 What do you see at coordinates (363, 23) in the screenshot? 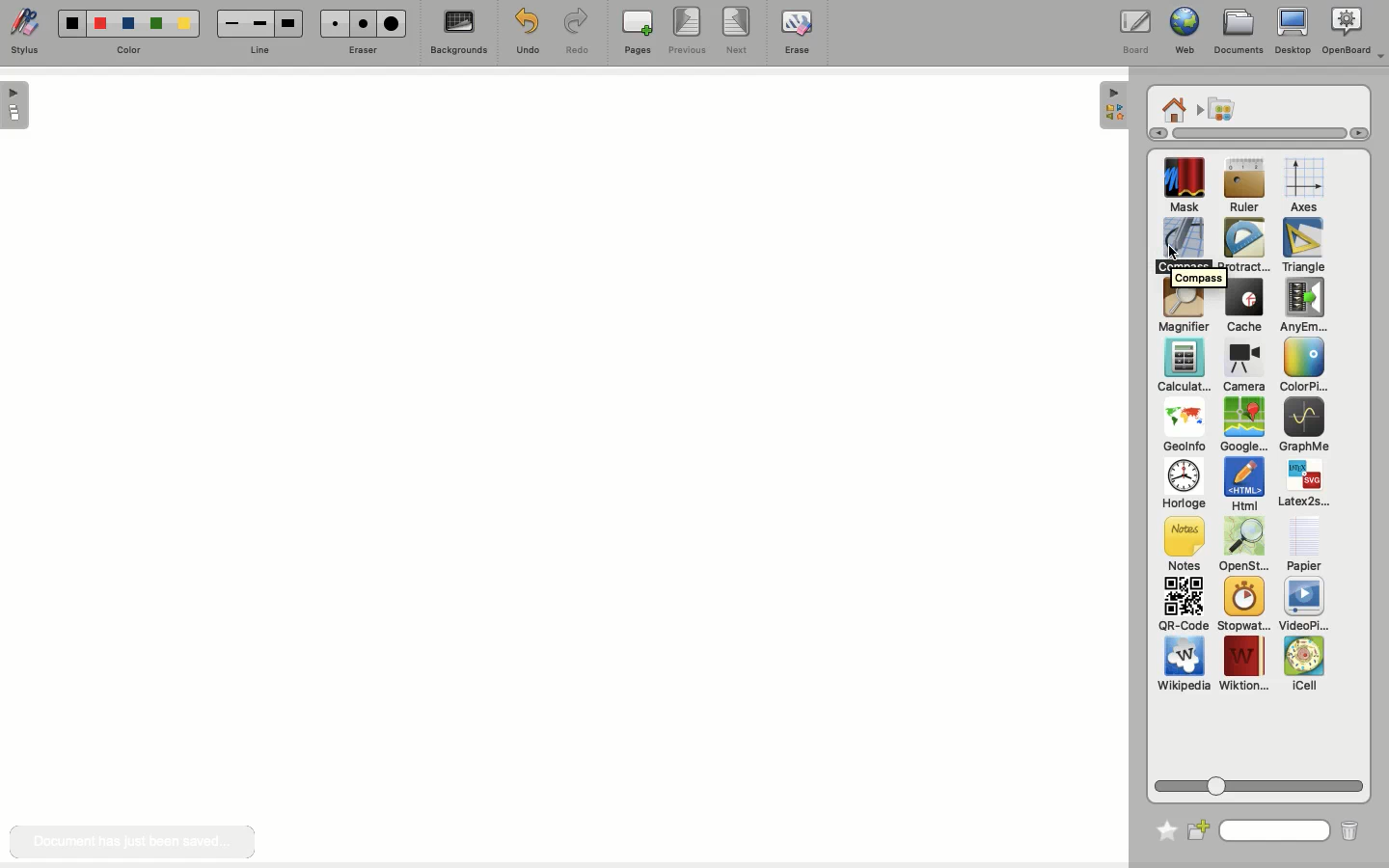
I see `eraser2` at bounding box center [363, 23].